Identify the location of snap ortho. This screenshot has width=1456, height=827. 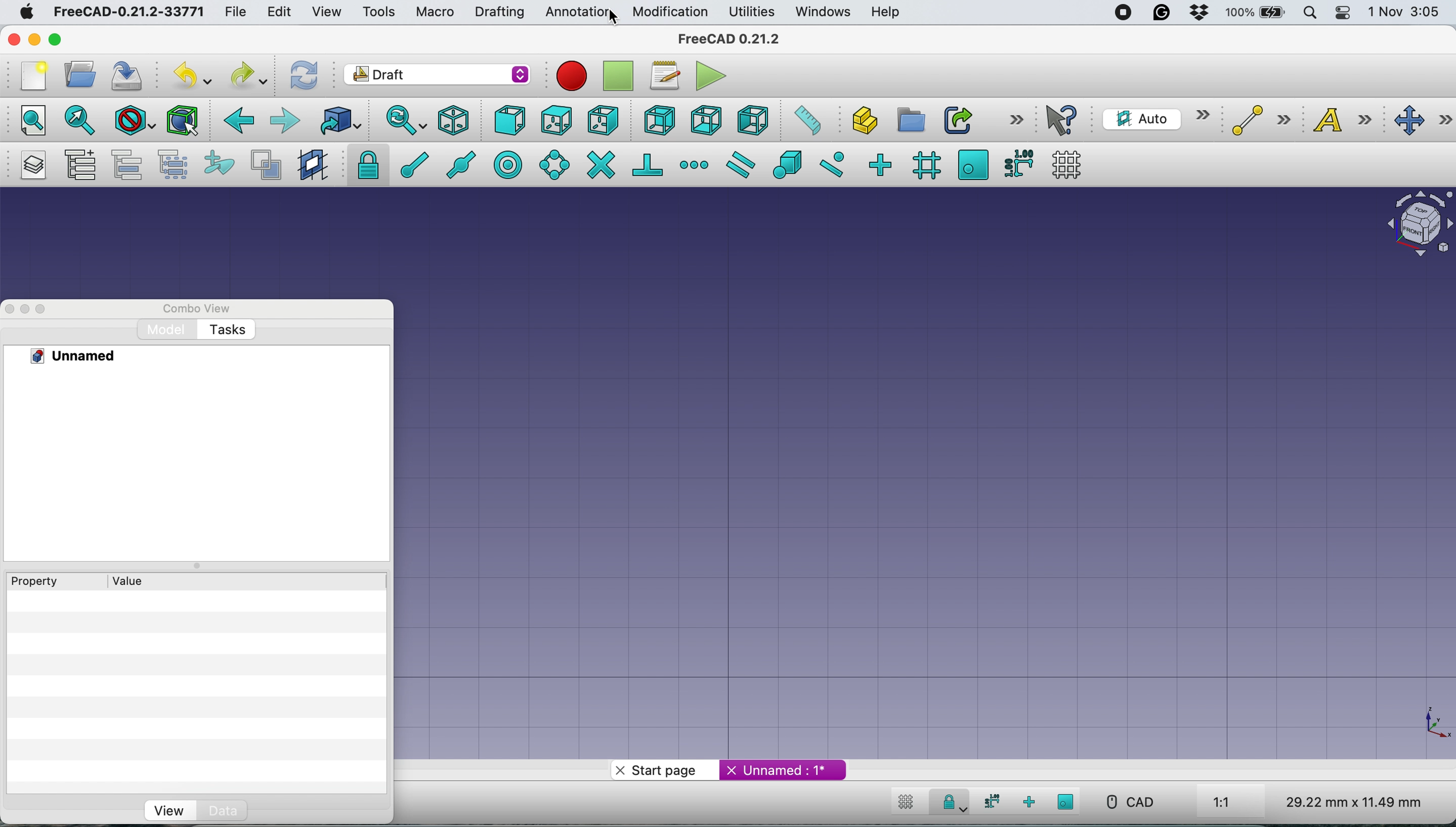
(1036, 801).